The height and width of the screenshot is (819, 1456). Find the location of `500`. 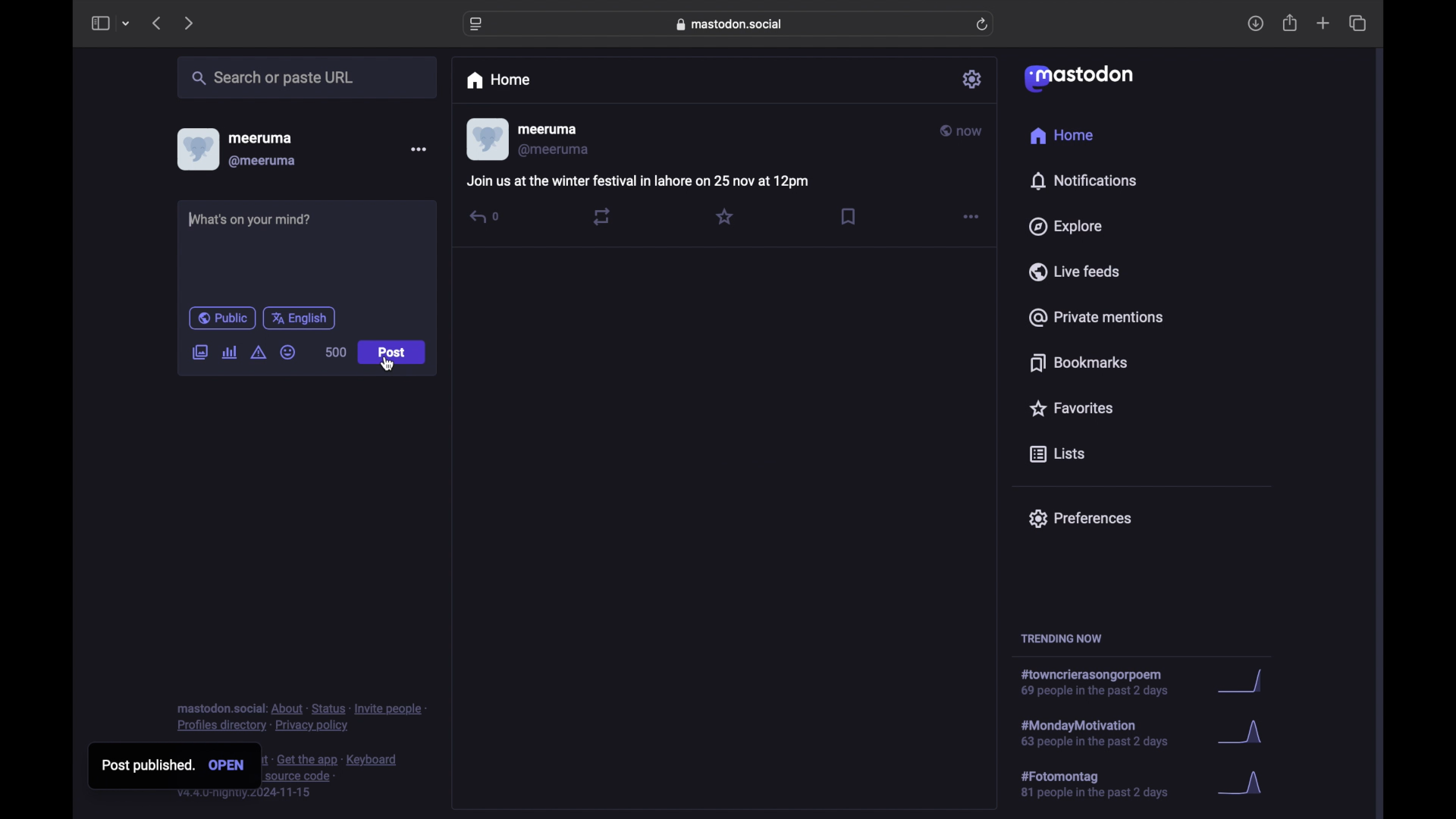

500 is located at coordinates (335, 352).